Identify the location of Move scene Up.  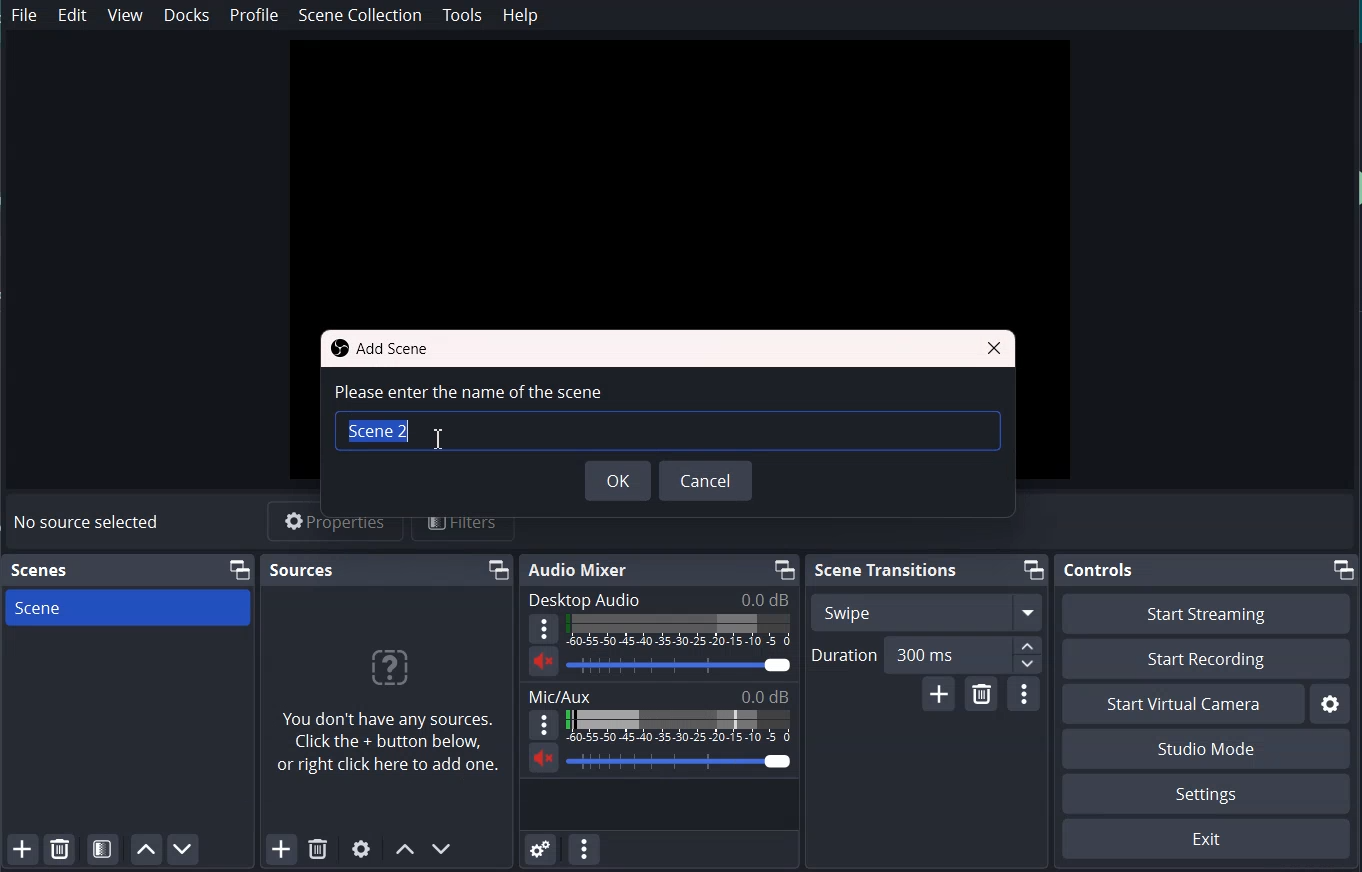
(403, 851).